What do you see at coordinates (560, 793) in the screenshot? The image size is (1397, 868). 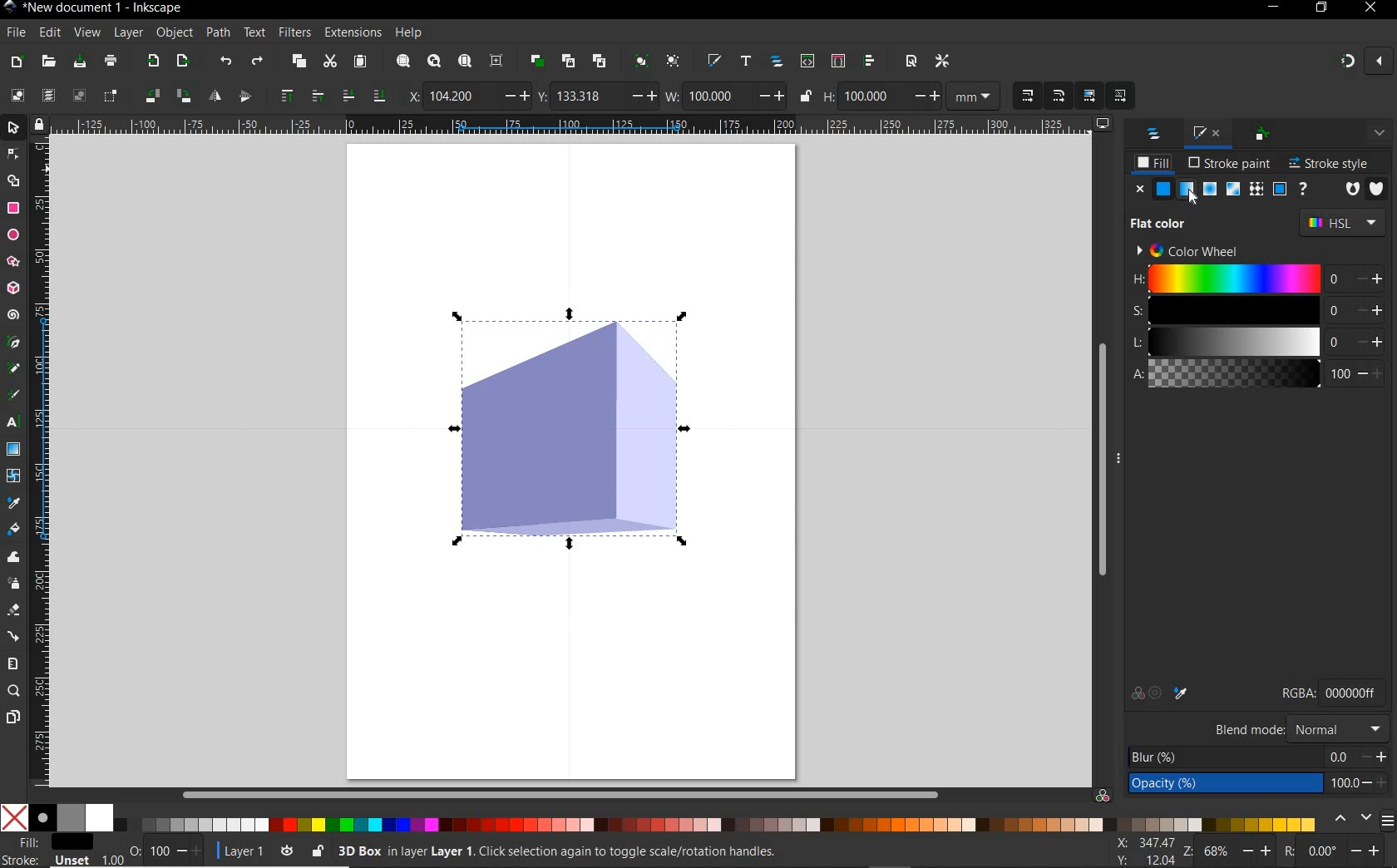 I see `SCROLLBAR` at bounding box center [560, 793].